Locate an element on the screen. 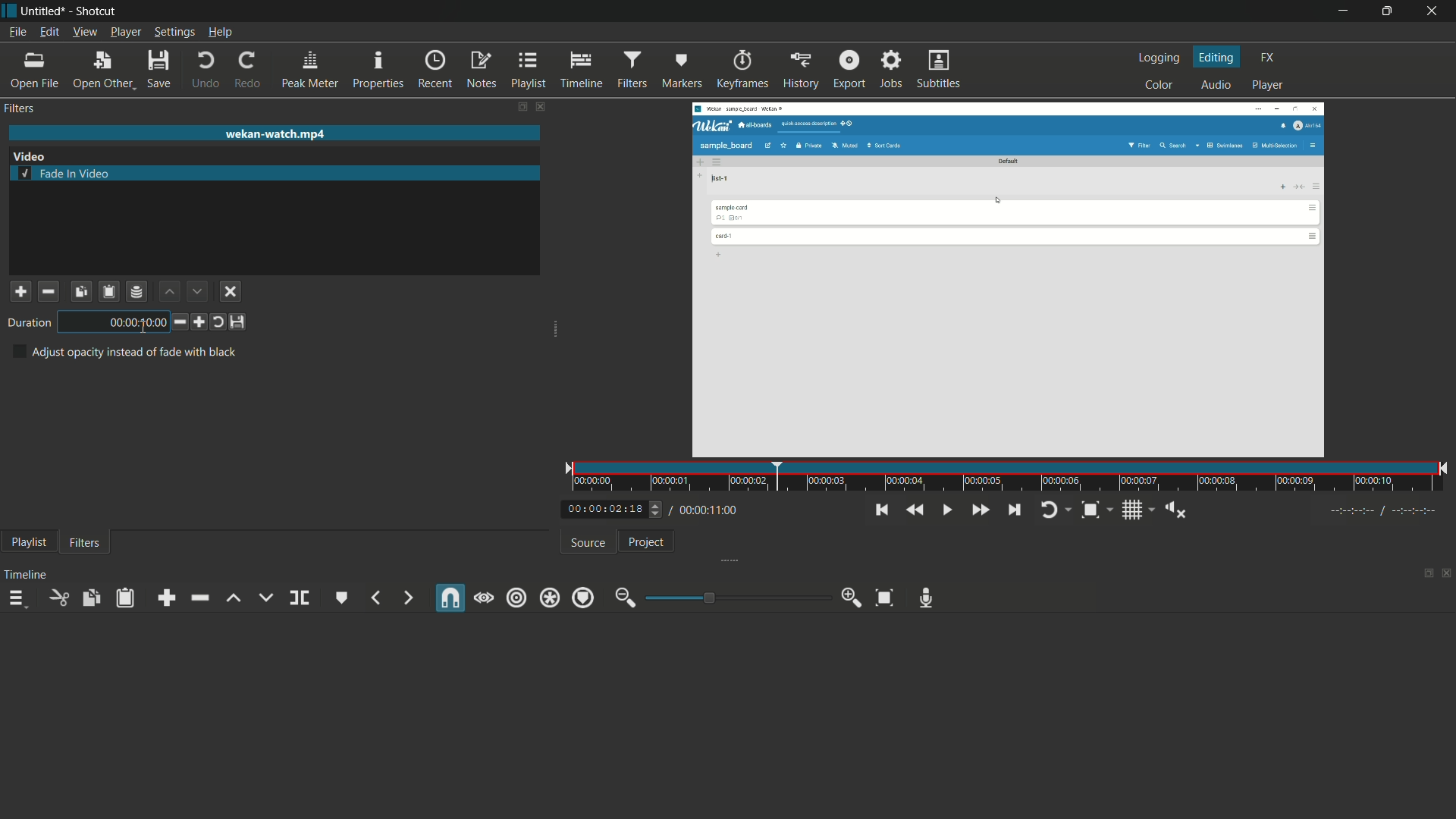 Image resolution: width=1456 pixels, height=819 pixels. fx is located at coordinates (1269, 58).